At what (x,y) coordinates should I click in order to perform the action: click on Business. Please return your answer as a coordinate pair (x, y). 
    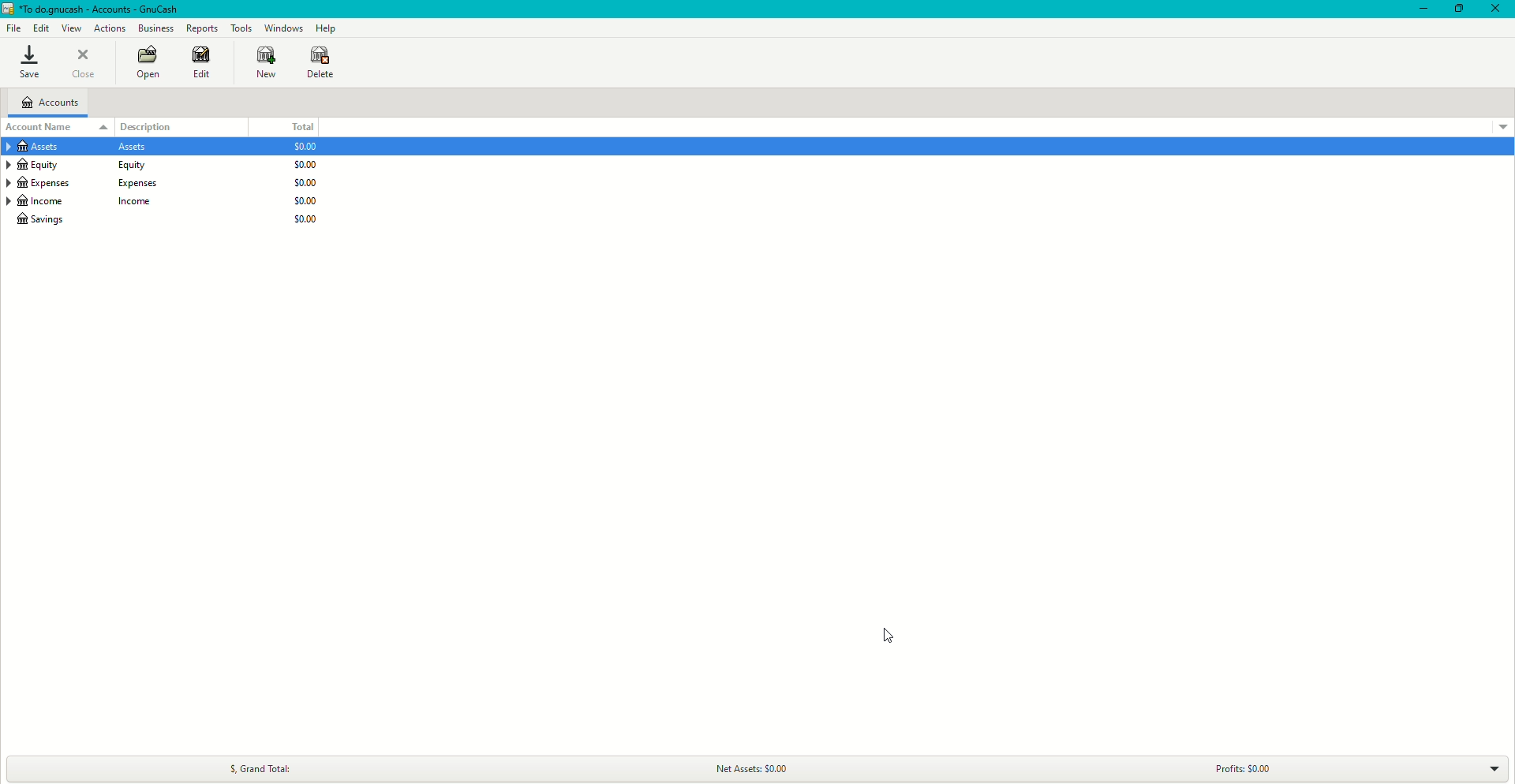
    Looking at the image, I should click on (156, 29).